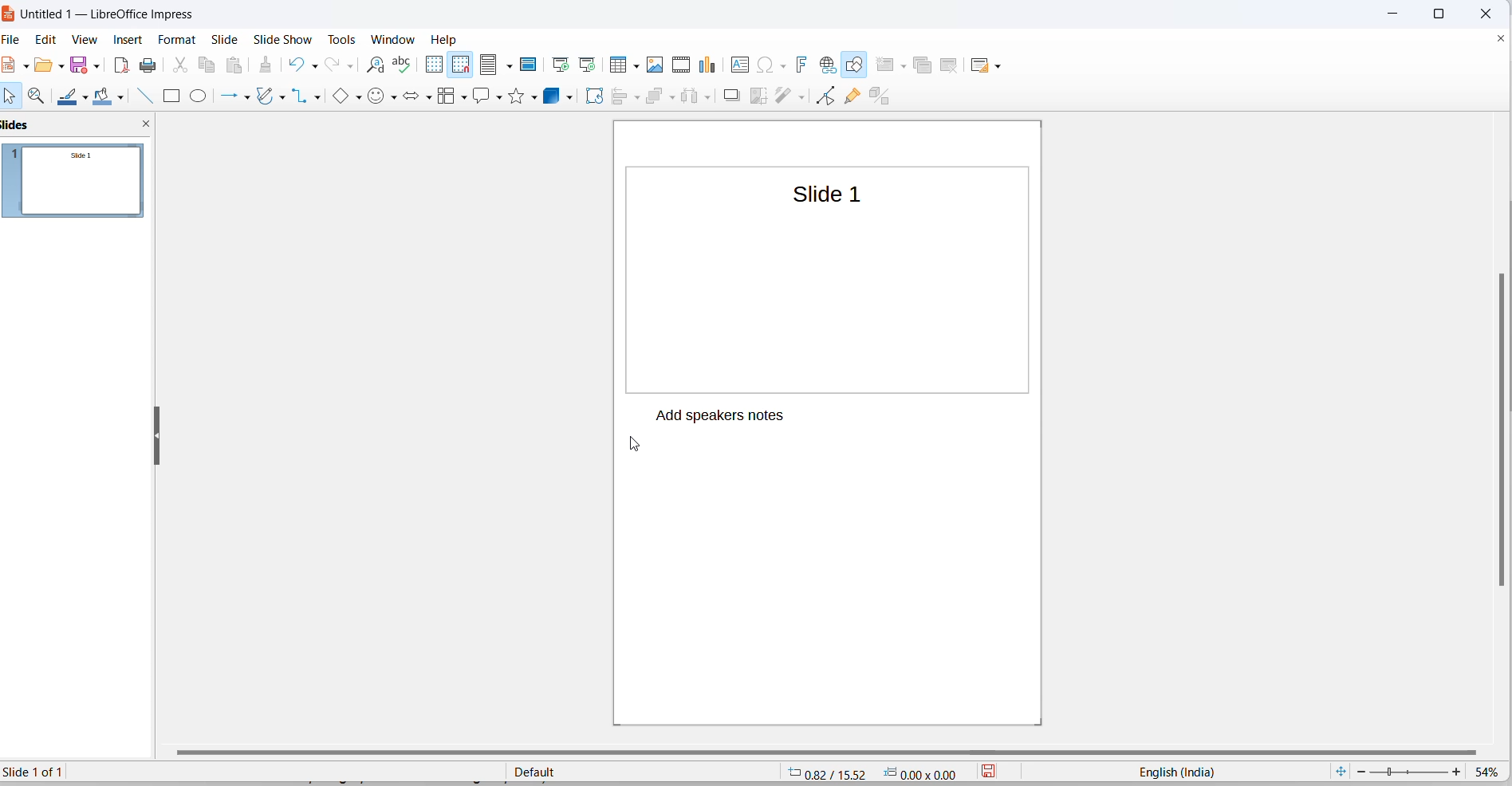 The height and width of the screenshot is (786, 1512). I want to click on flowcharts, so click(445, 99).